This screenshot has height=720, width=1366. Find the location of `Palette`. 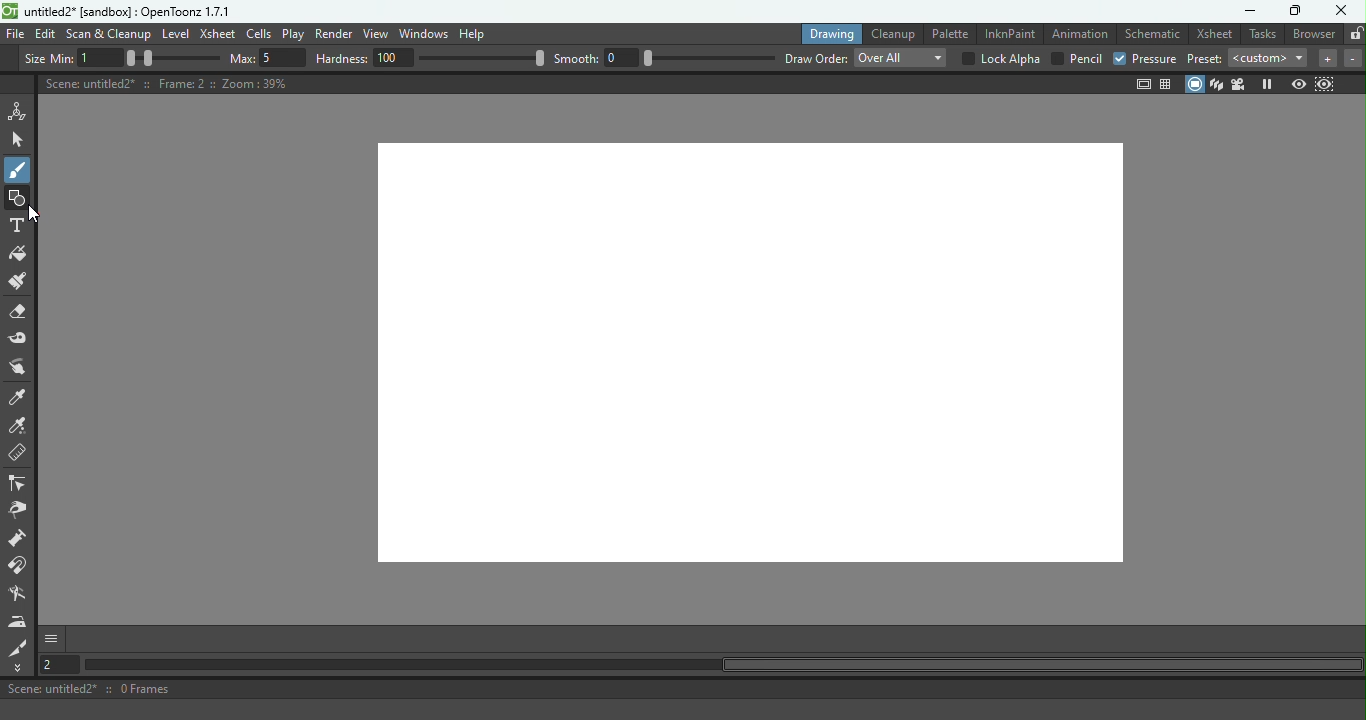

Palette is located at coordinates (946, 34).